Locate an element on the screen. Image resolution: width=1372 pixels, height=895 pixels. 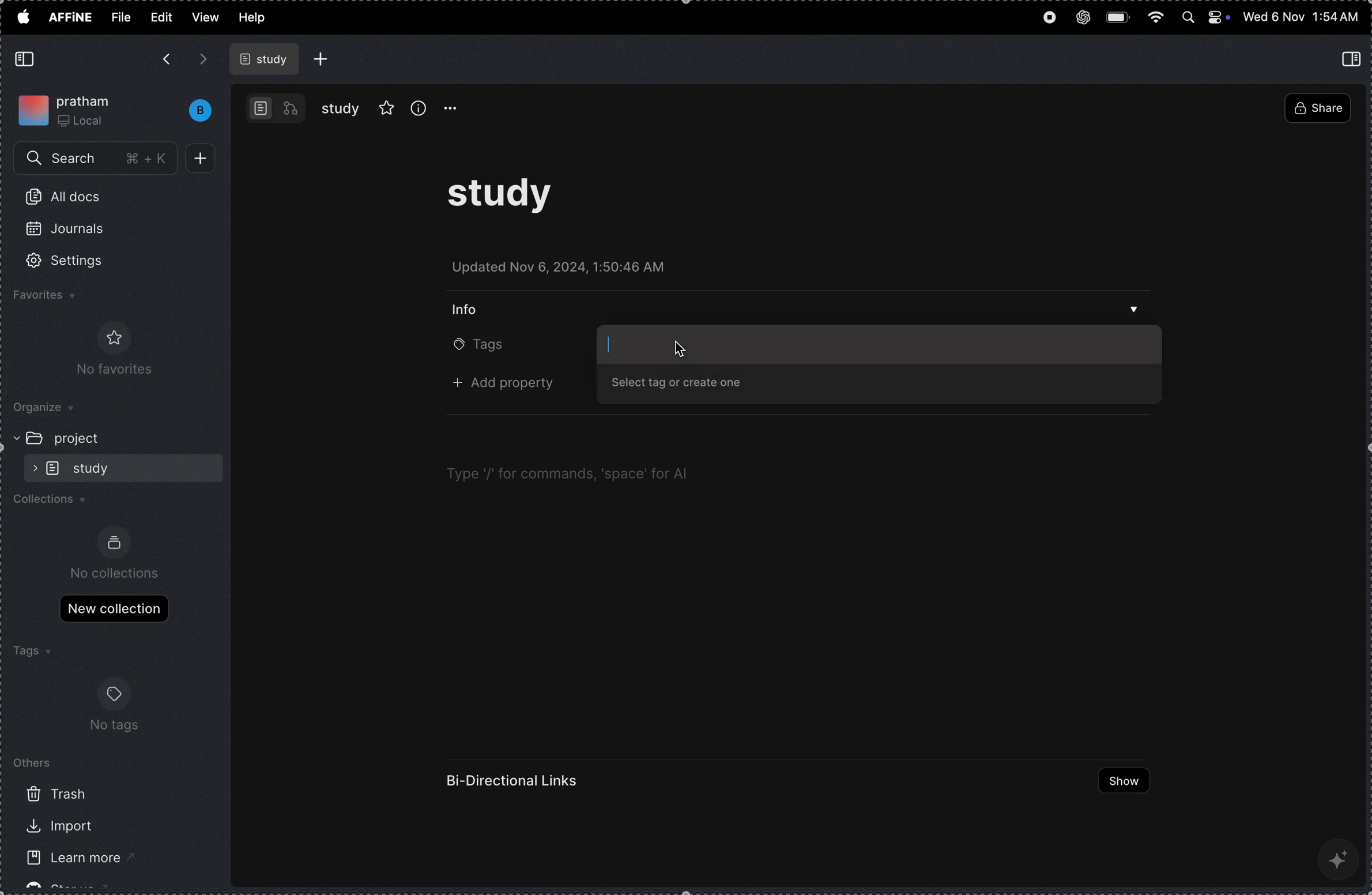
battery is located at coordinates (1120, 16).